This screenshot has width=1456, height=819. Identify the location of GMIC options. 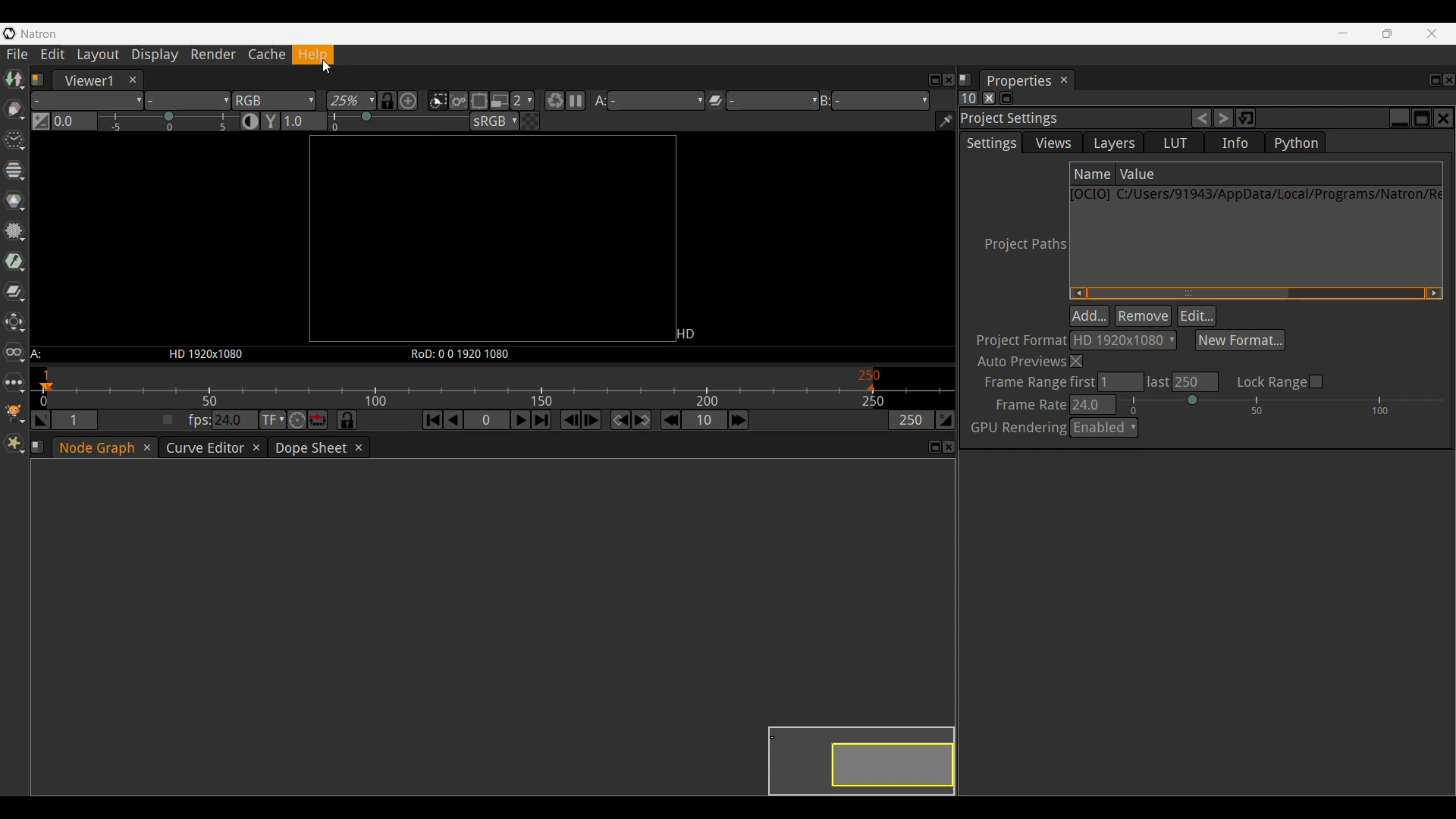
(14, 413).